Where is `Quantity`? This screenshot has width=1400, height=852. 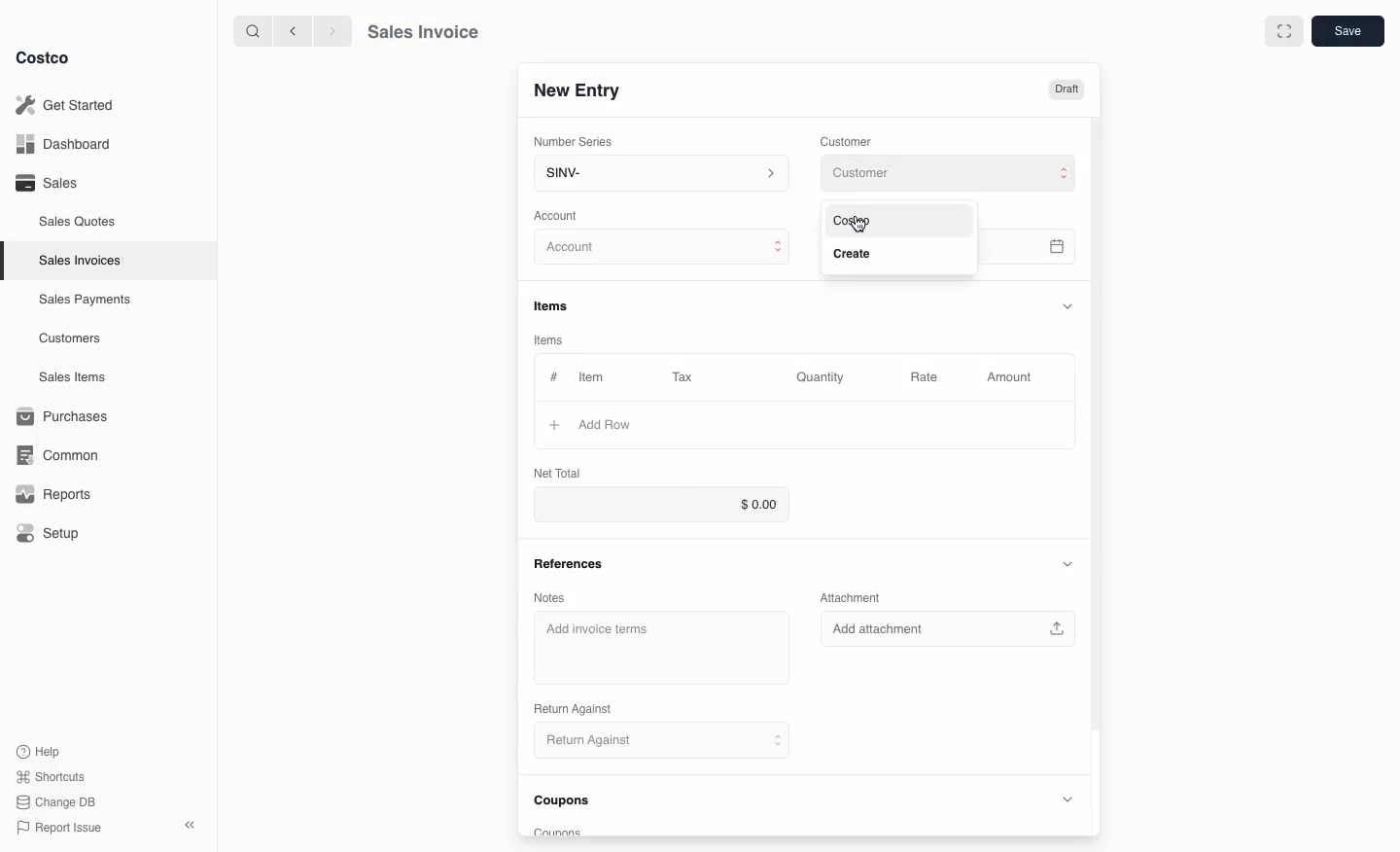 Quantity is located at coordinates (822, 377).